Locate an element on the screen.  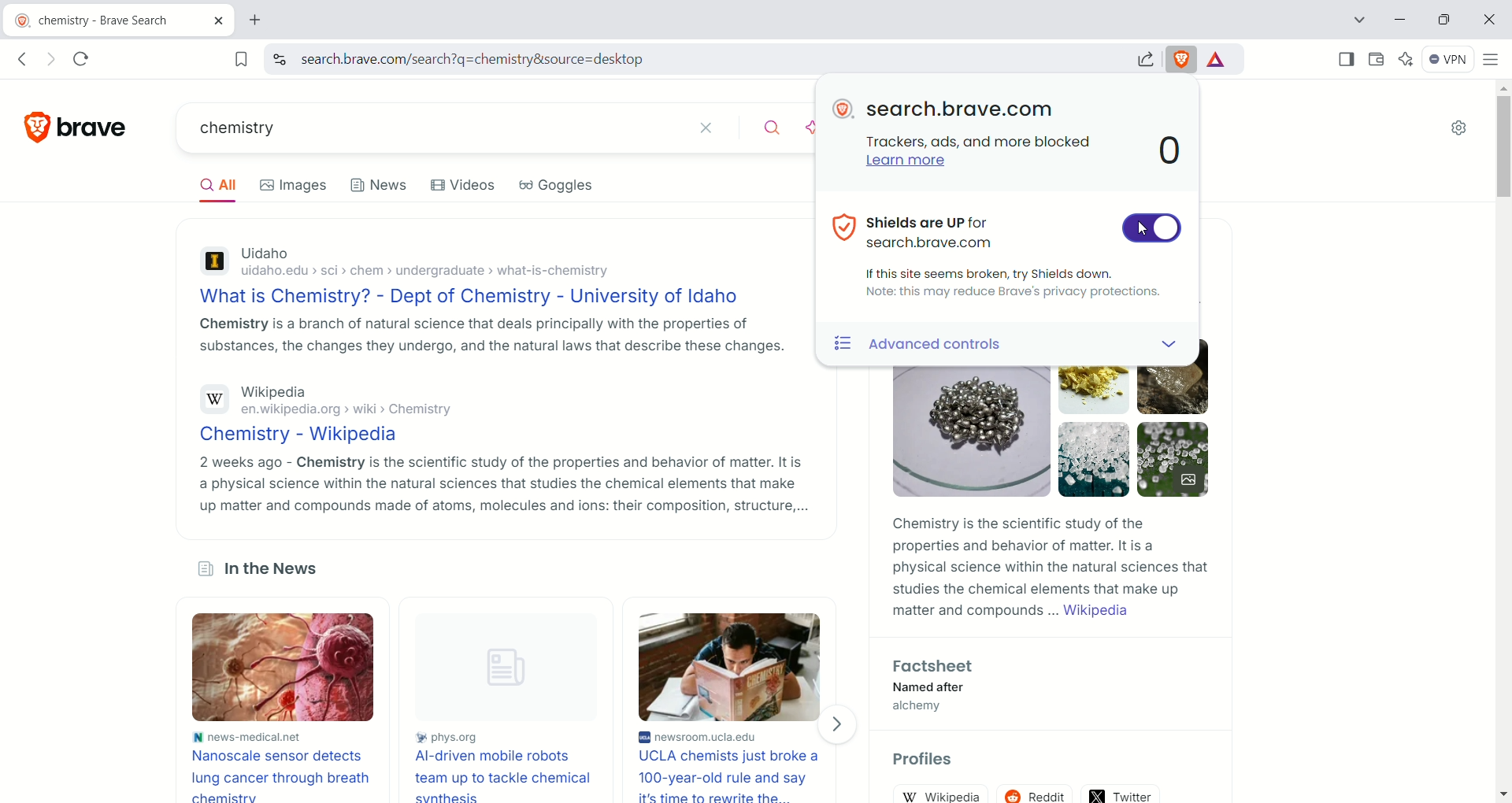
Wikipedia: en.wikipedia.org > wiki > Chemistry is located at coordinates (495, 402).